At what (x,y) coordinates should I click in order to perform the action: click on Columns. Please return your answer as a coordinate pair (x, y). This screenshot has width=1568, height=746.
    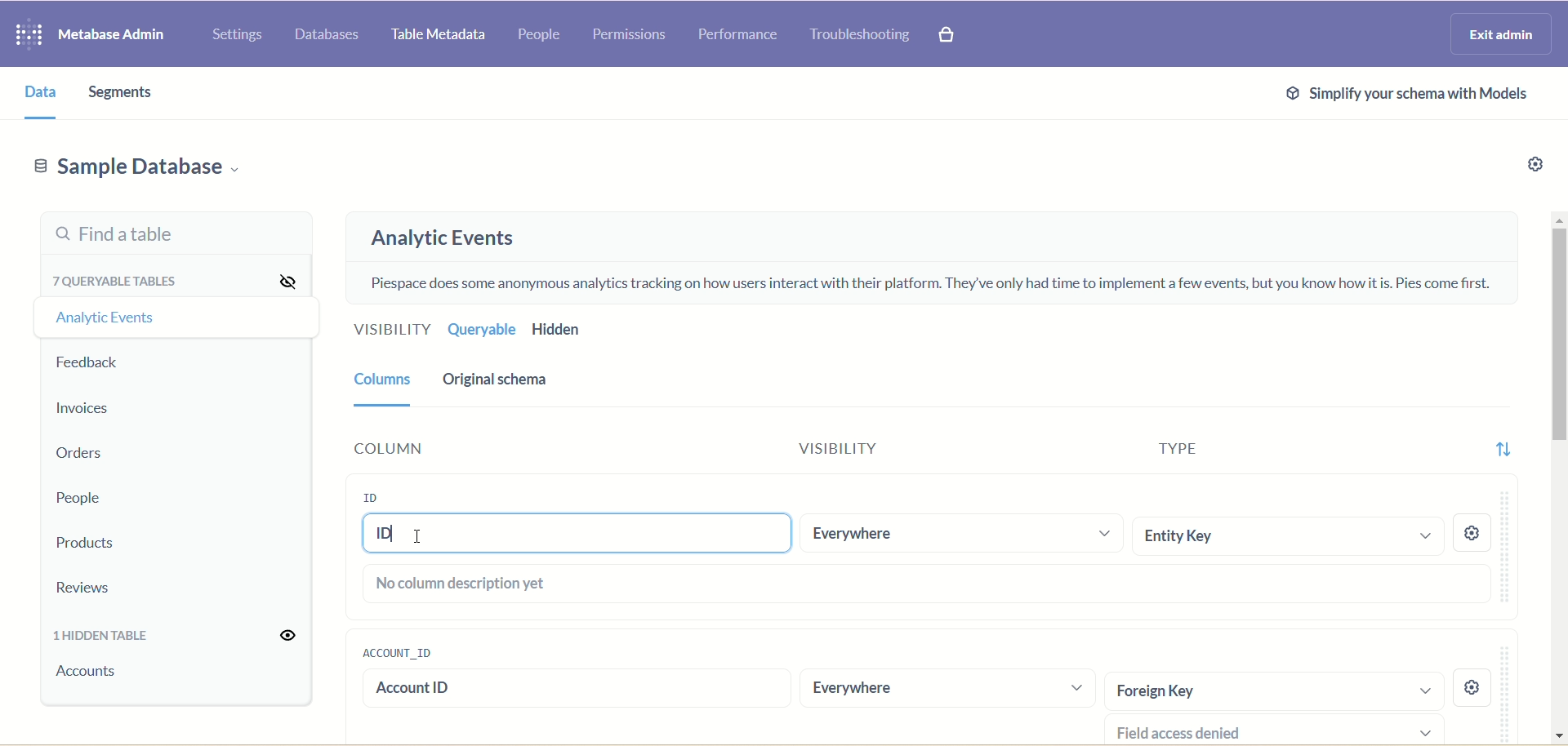
    Looking at the image, I should click on (385, 387).